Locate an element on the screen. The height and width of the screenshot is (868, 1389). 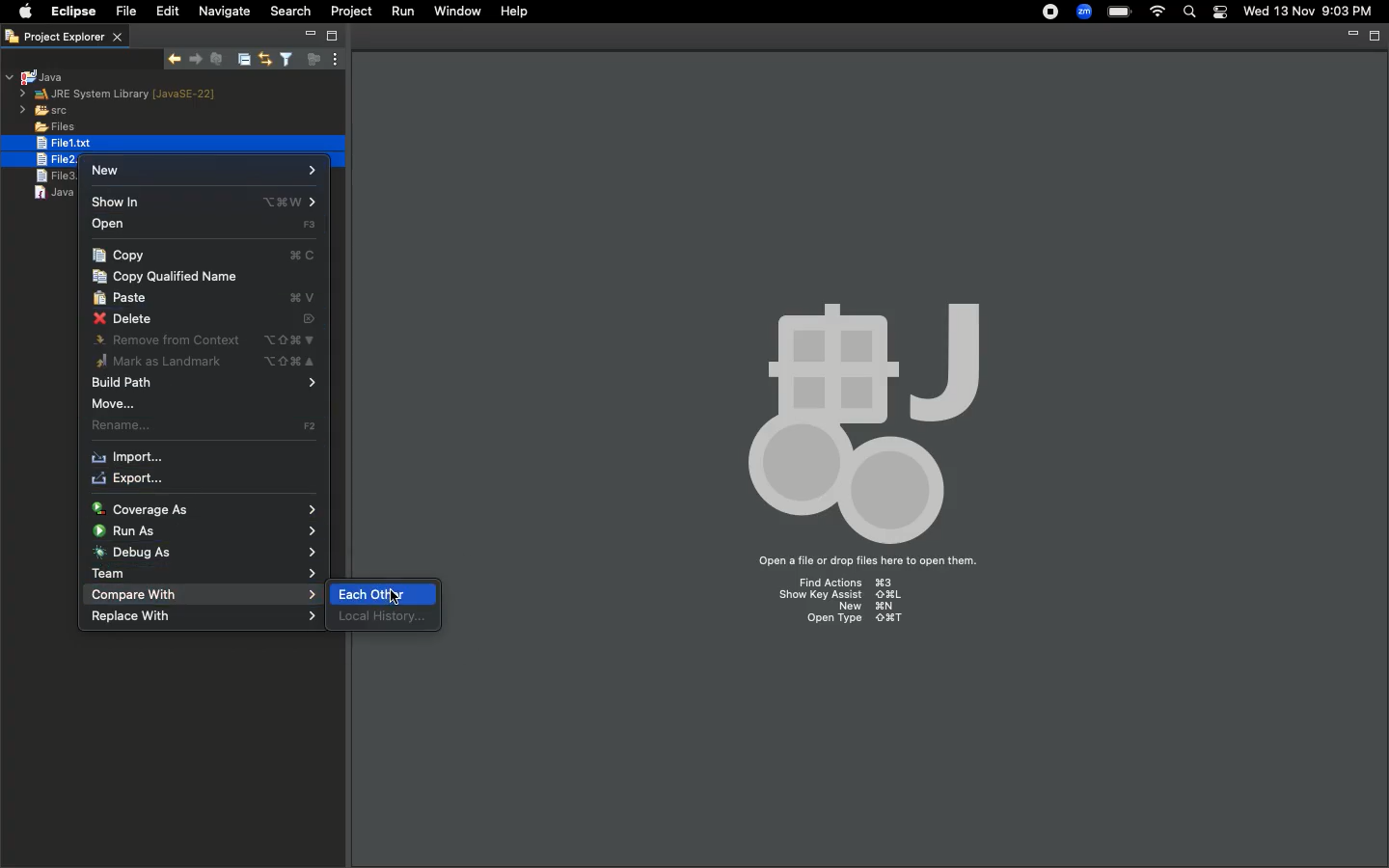
Replace with is located at coordinates (204, 617).